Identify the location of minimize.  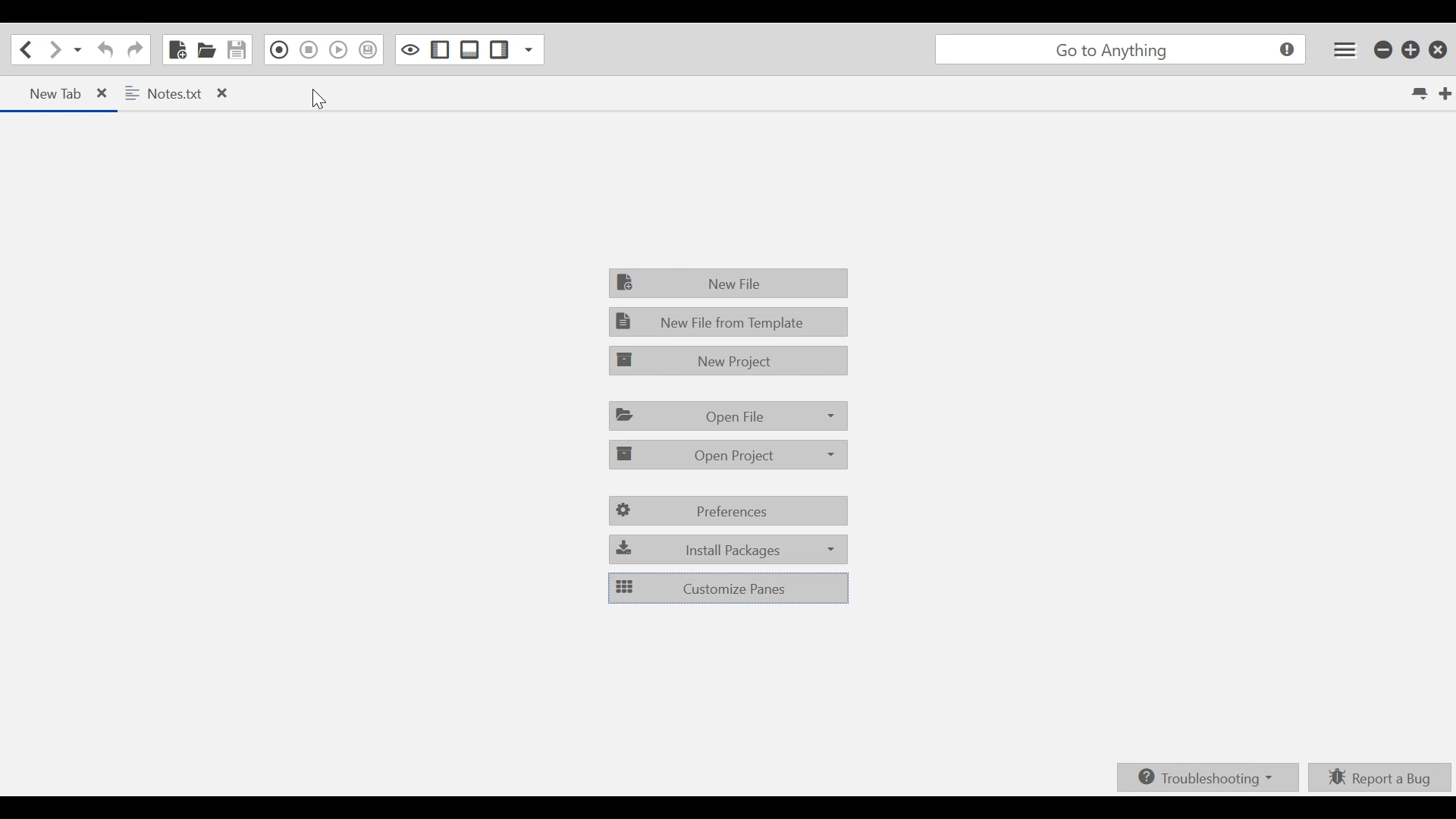
(1382, 49).